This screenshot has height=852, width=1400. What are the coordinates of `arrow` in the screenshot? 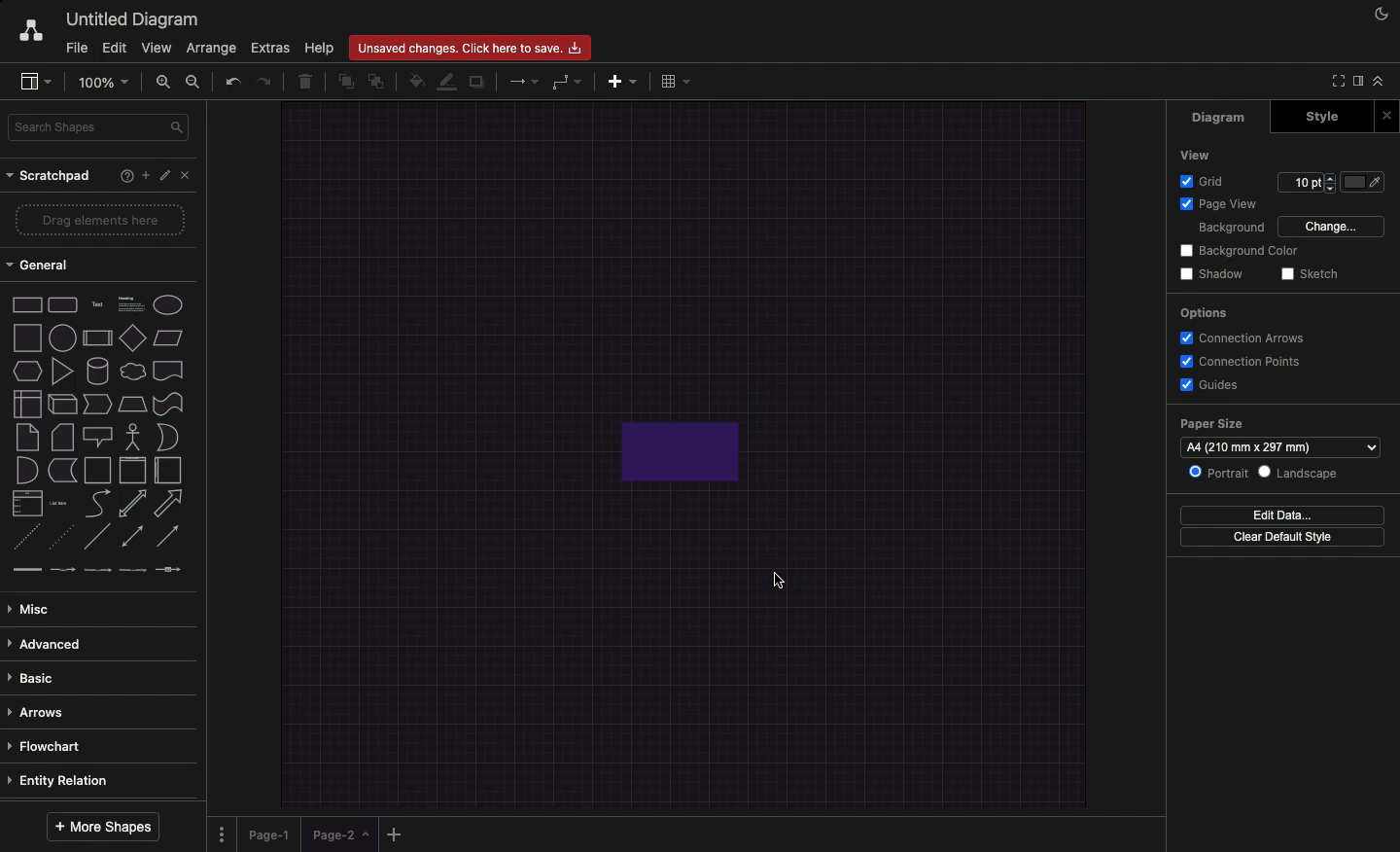 It's located at (172, 503).